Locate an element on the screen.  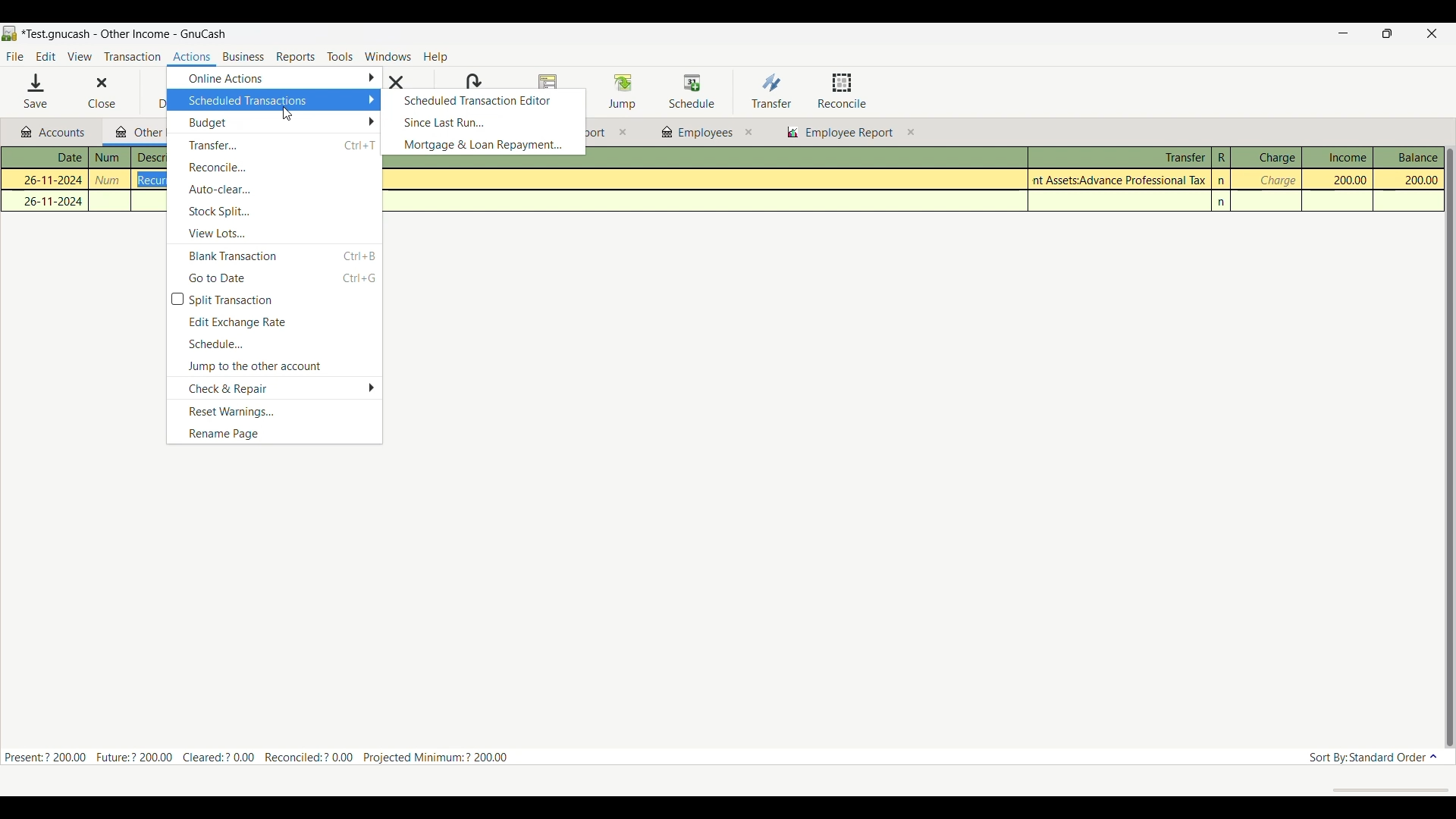
Edit exchange rate is located at coordinates (275, 322).